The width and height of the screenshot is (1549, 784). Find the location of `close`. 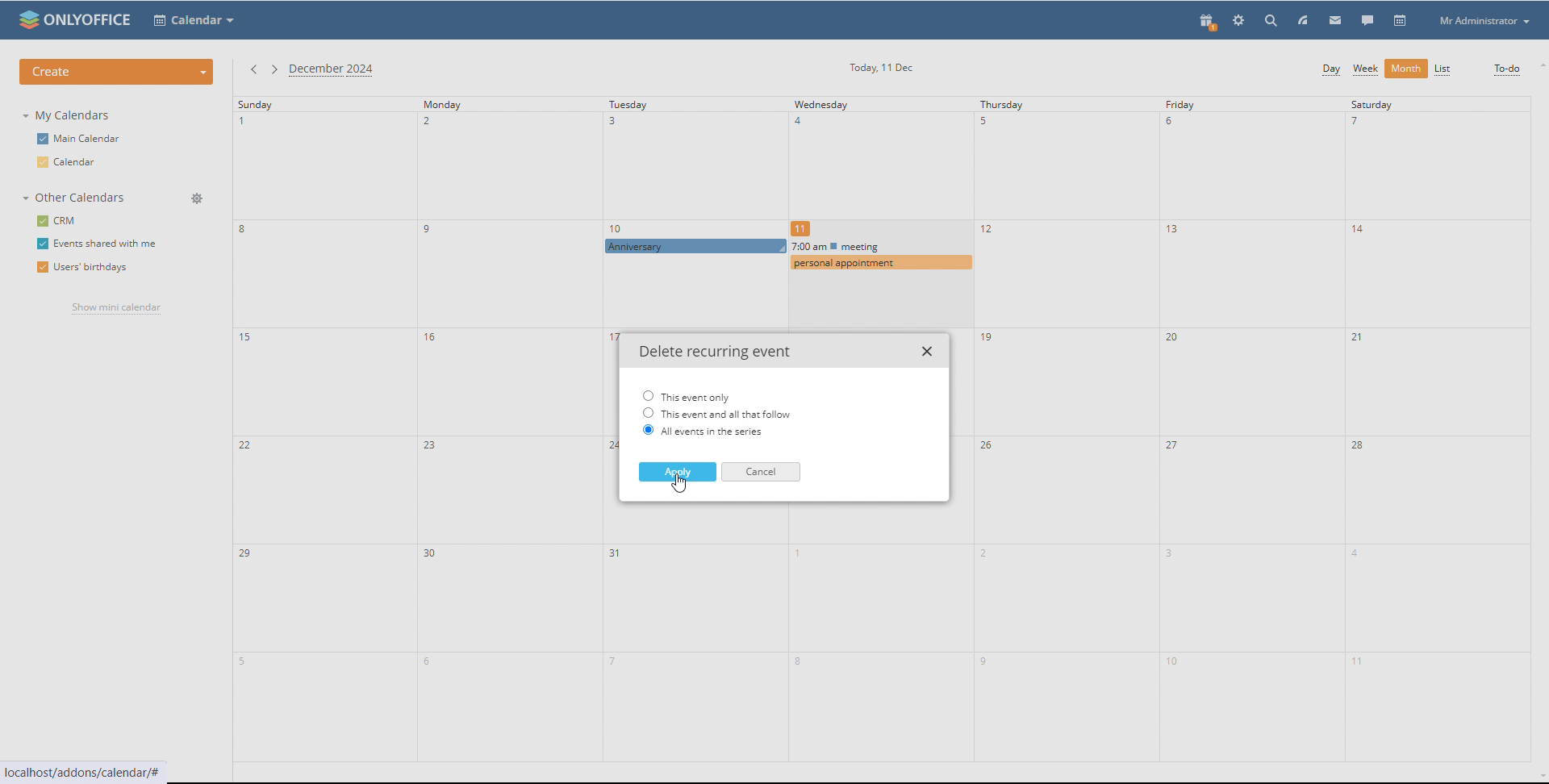

close is located at coordinates (929, 352).